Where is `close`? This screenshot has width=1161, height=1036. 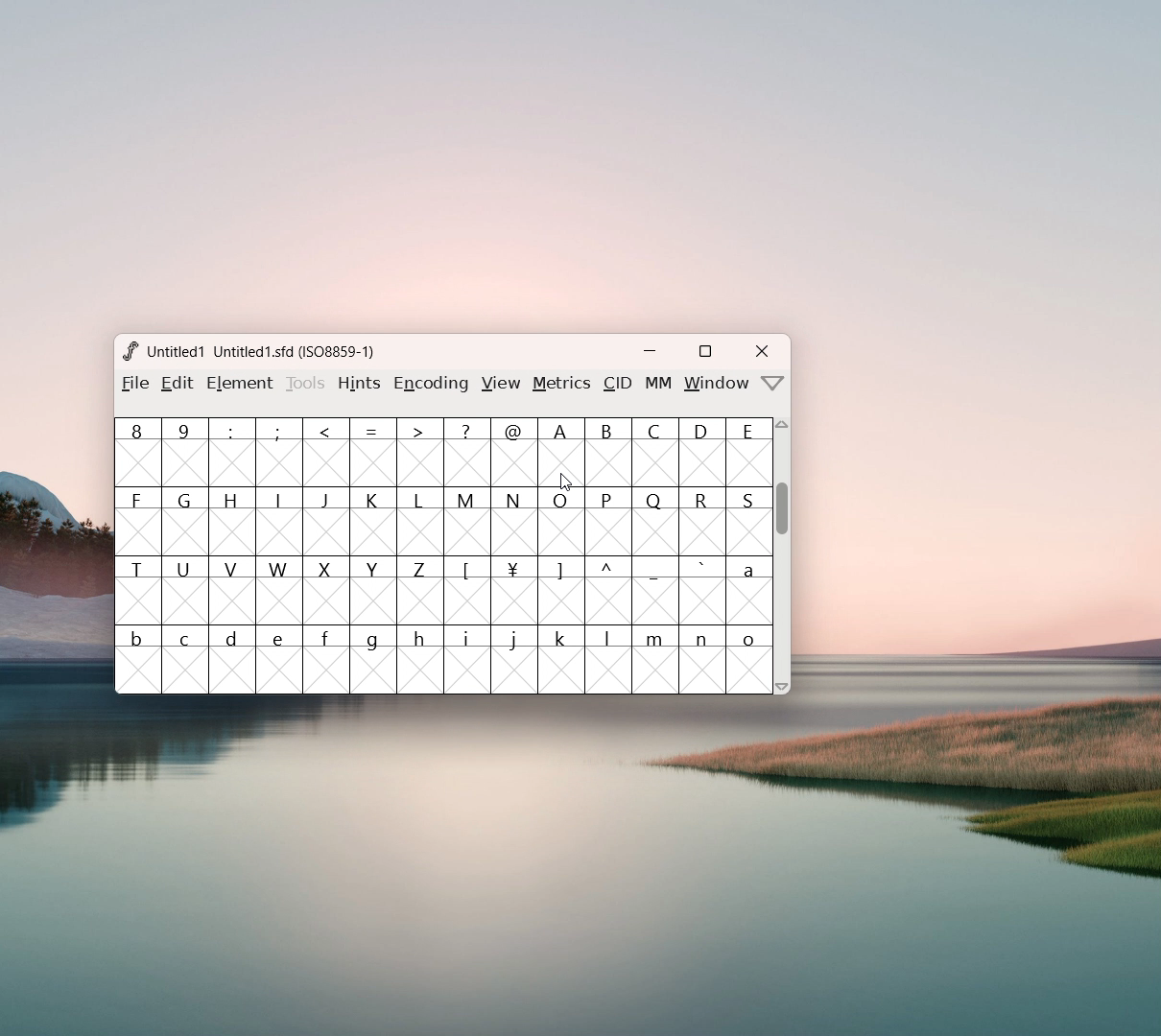 close is located at coordinates (765, 351).